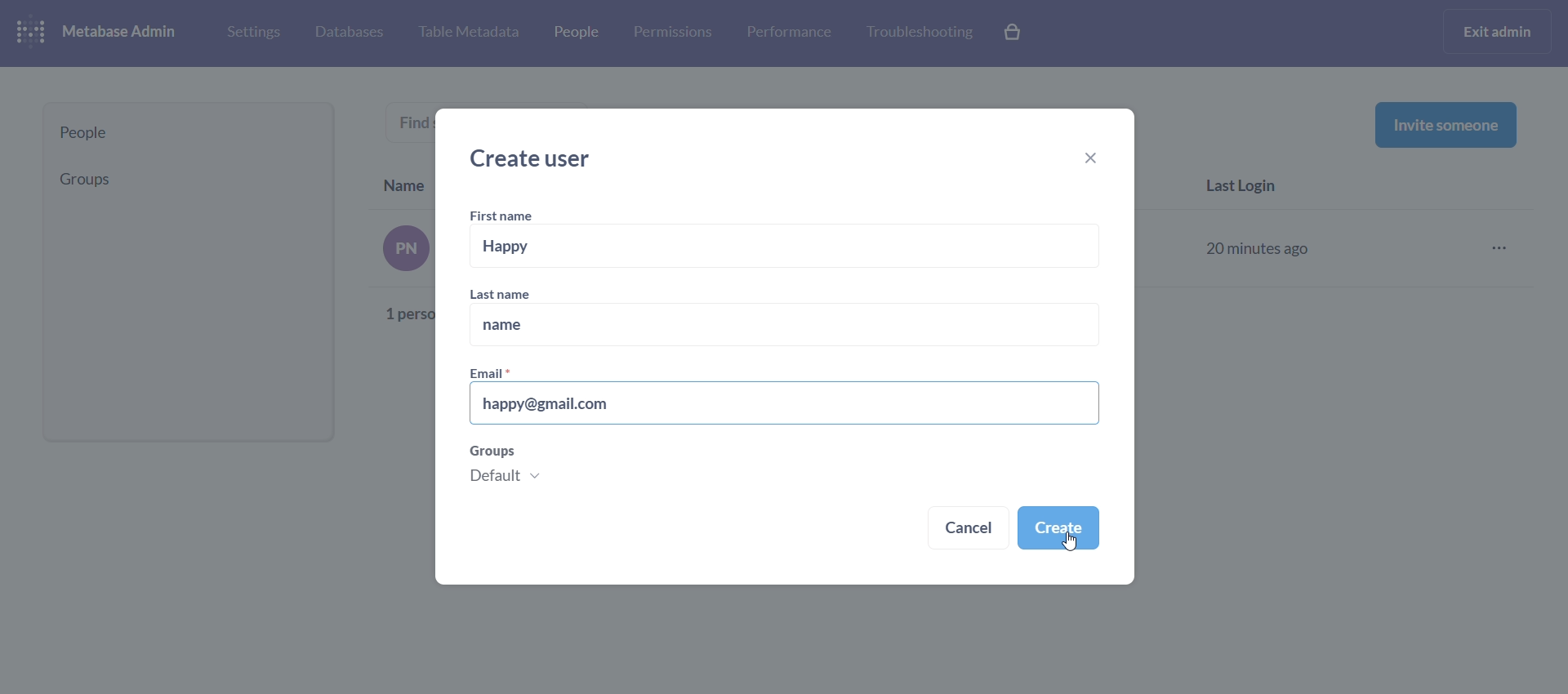 This screenshot has width=1568, height=694. I want to click on last login, so click(1249, 188).